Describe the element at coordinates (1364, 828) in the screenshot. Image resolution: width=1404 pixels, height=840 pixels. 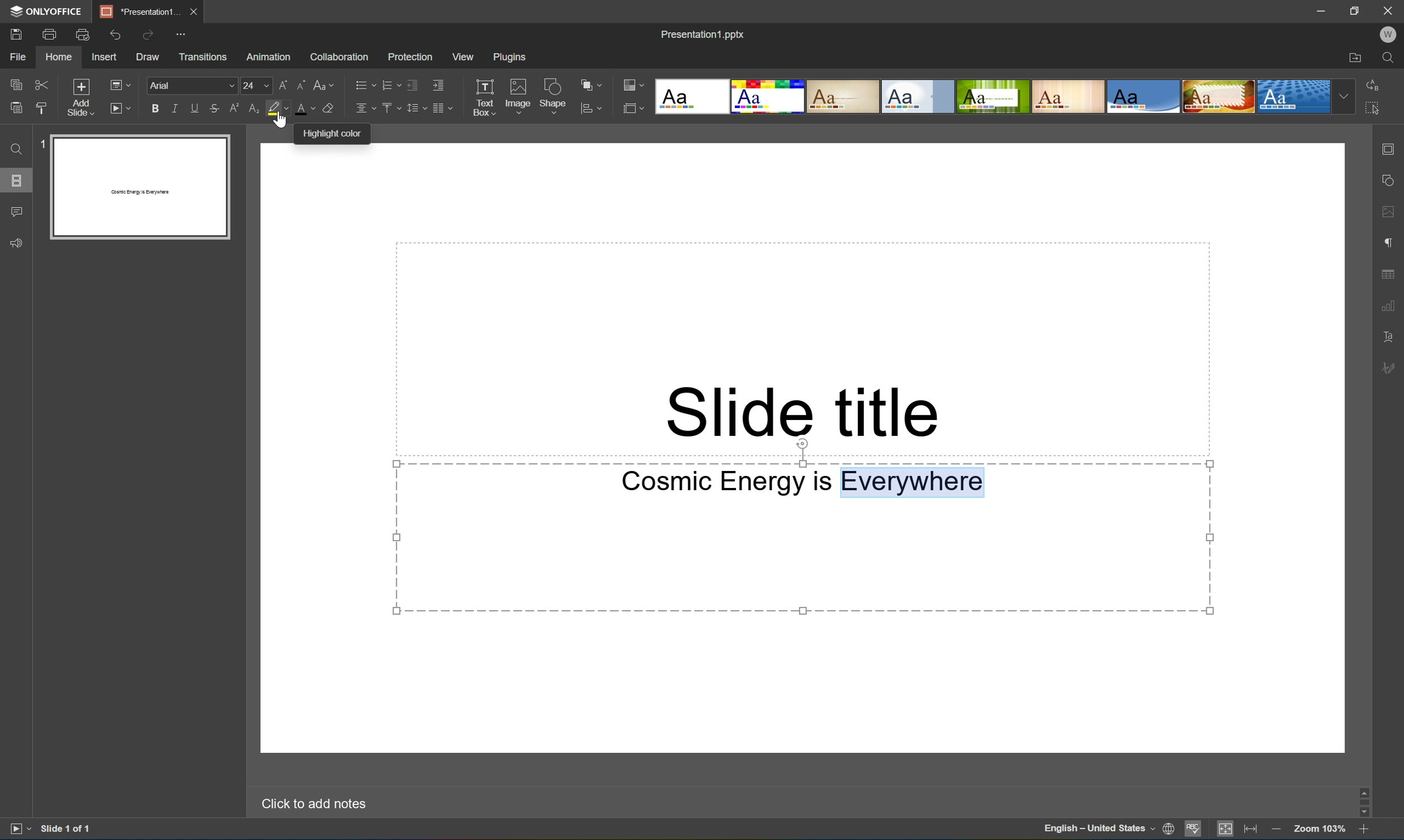
I see `Zoom in` at that location.